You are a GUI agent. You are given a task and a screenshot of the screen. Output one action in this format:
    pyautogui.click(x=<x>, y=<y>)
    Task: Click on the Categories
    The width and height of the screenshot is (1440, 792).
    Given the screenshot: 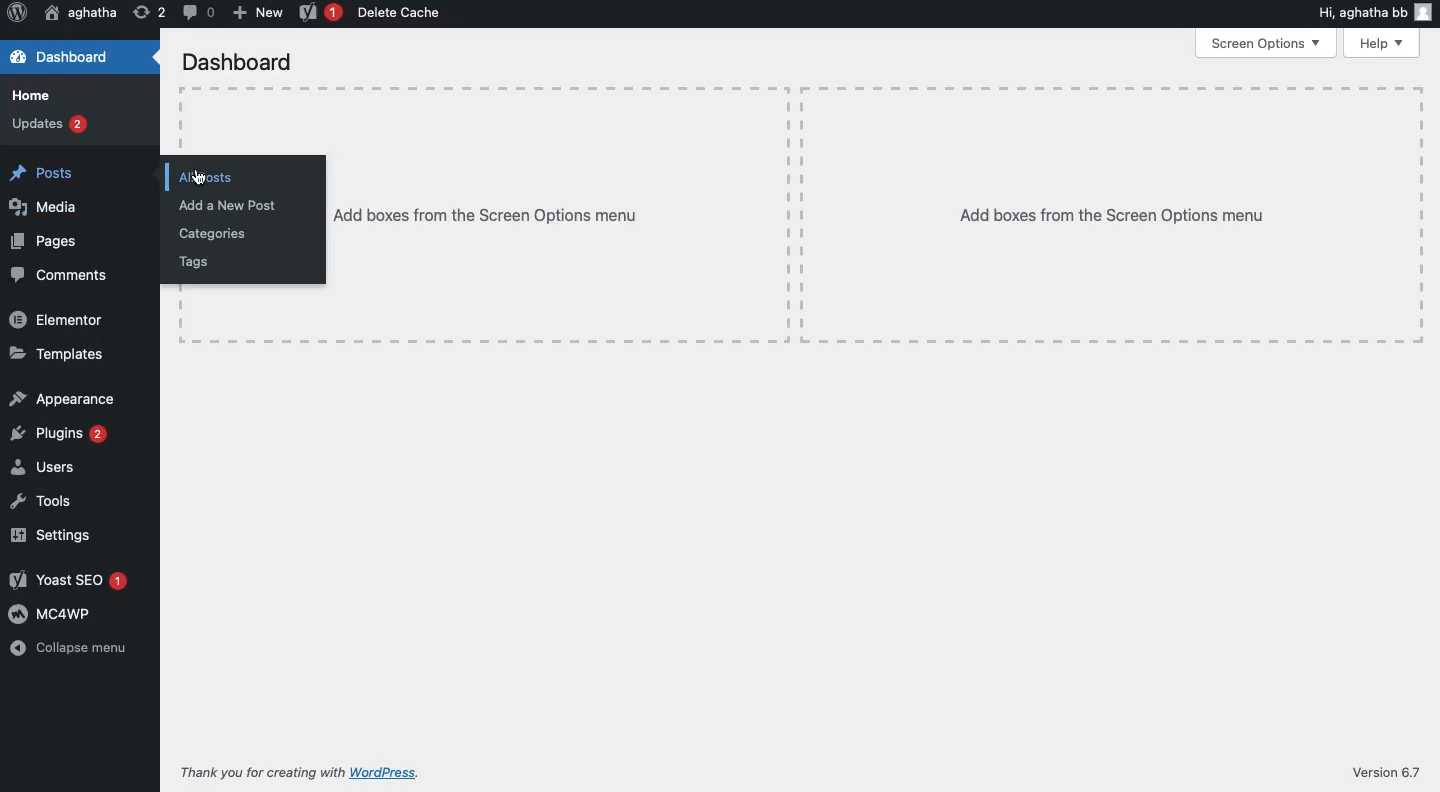 What is the action you would take?
    pyautogui.click(x=213, y=233)
    